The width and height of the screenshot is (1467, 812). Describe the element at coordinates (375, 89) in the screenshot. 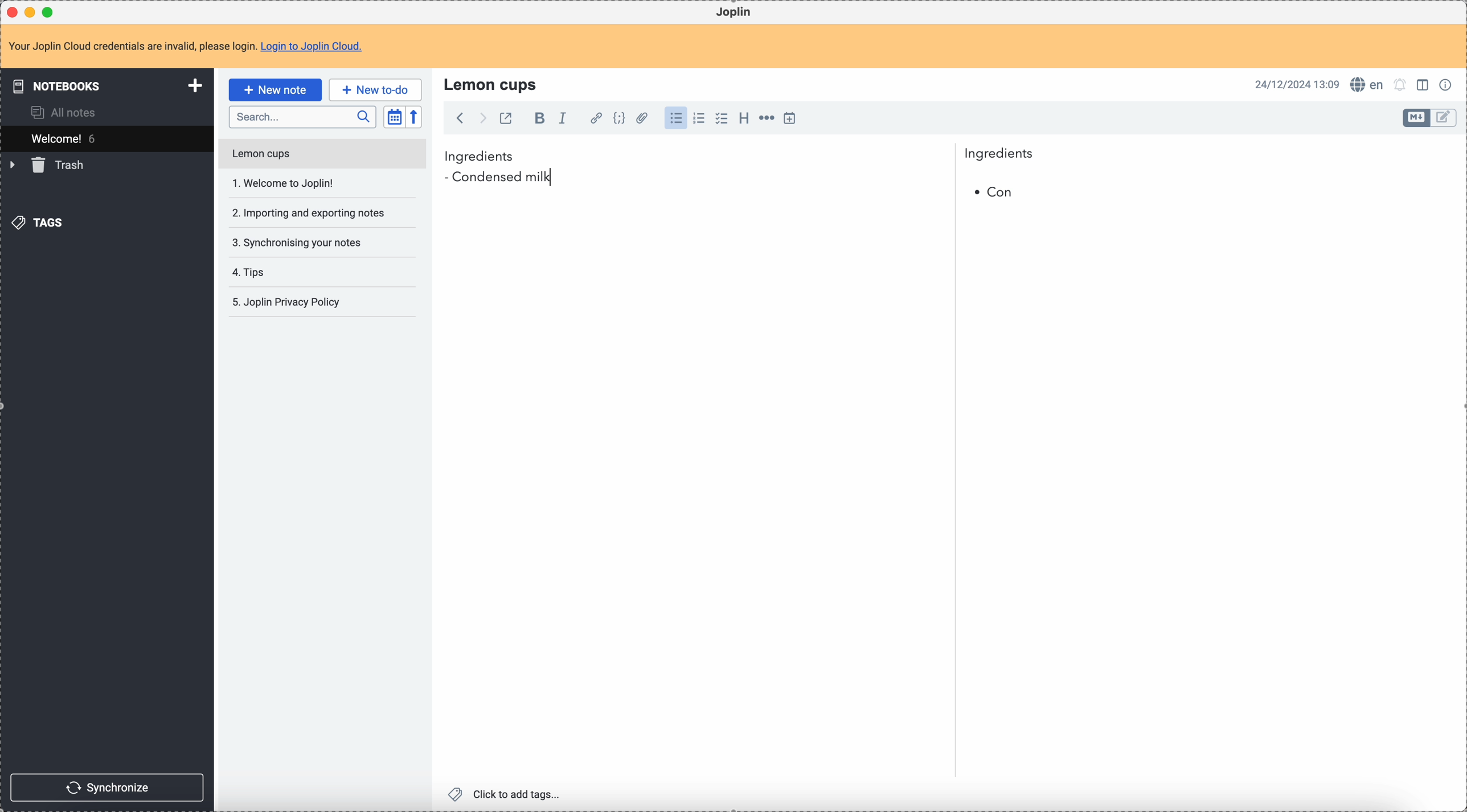

I see `new to-do` at that location.